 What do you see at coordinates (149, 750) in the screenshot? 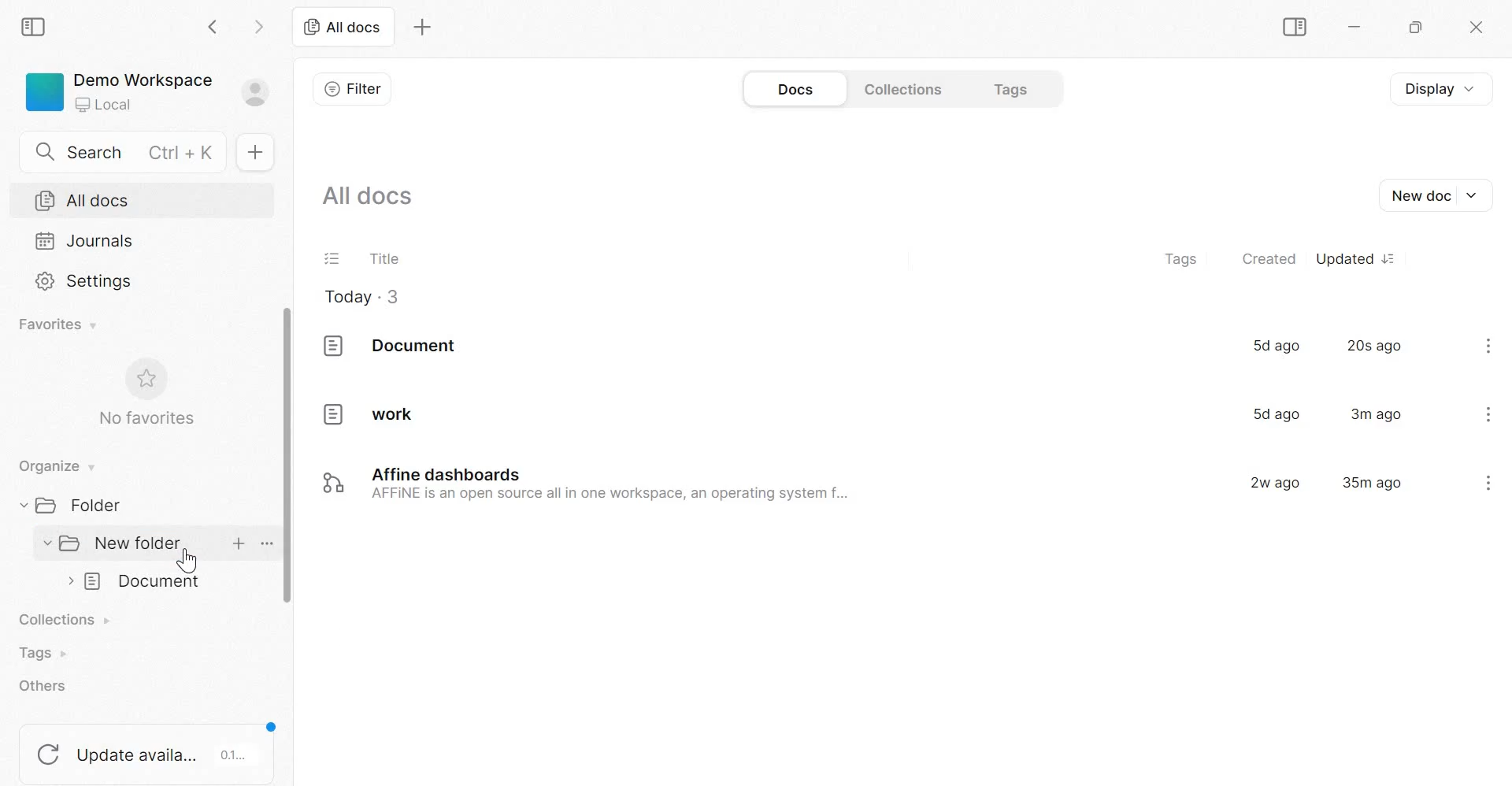
I see `update available` at bounding box center [149, 750].